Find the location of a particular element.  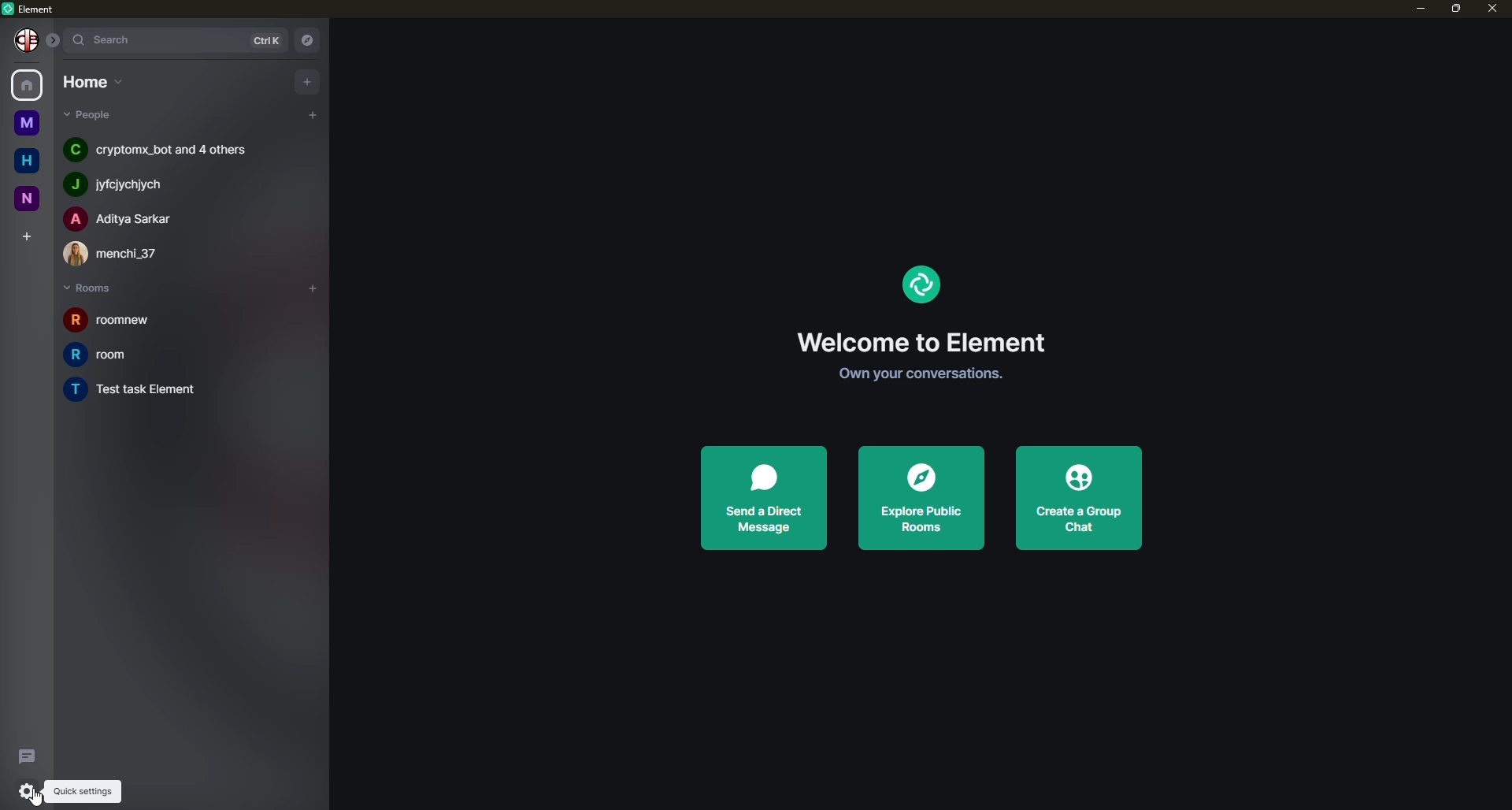

people is located at coordinates (157, 149).